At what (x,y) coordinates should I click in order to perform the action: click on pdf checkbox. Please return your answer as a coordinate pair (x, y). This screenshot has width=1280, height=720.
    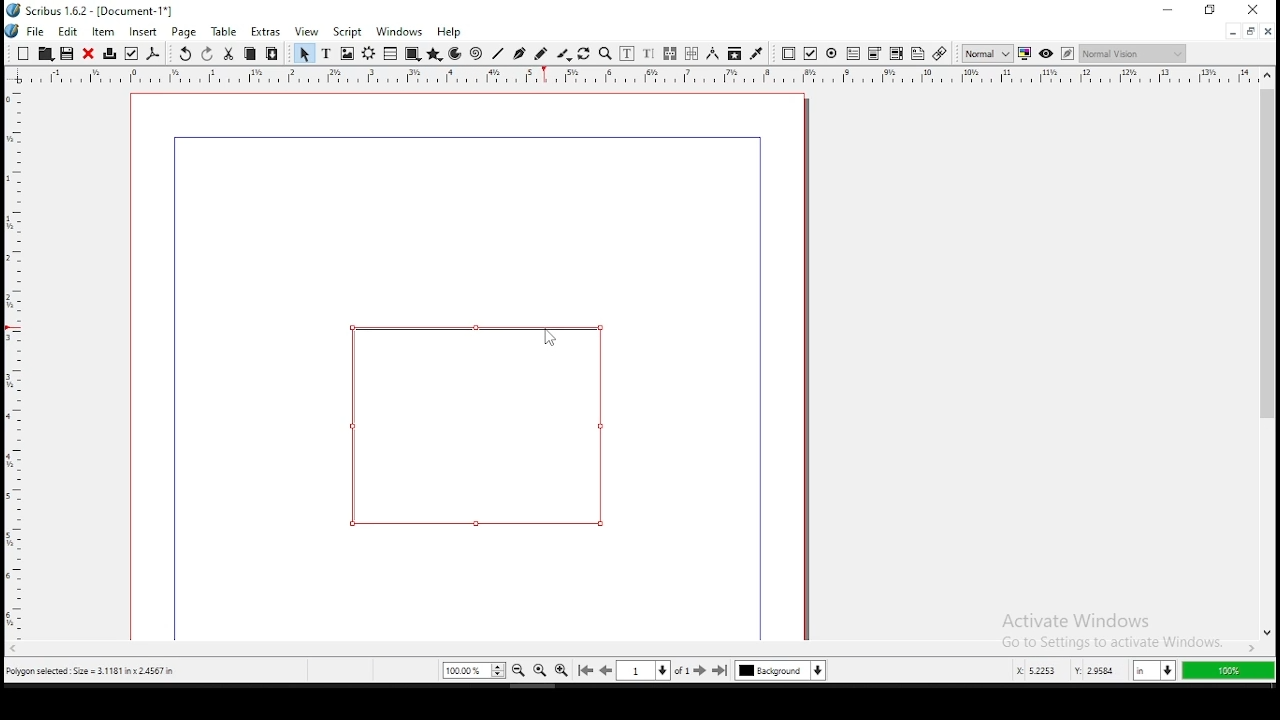
    Looking at the image, I should click on (810, 54).